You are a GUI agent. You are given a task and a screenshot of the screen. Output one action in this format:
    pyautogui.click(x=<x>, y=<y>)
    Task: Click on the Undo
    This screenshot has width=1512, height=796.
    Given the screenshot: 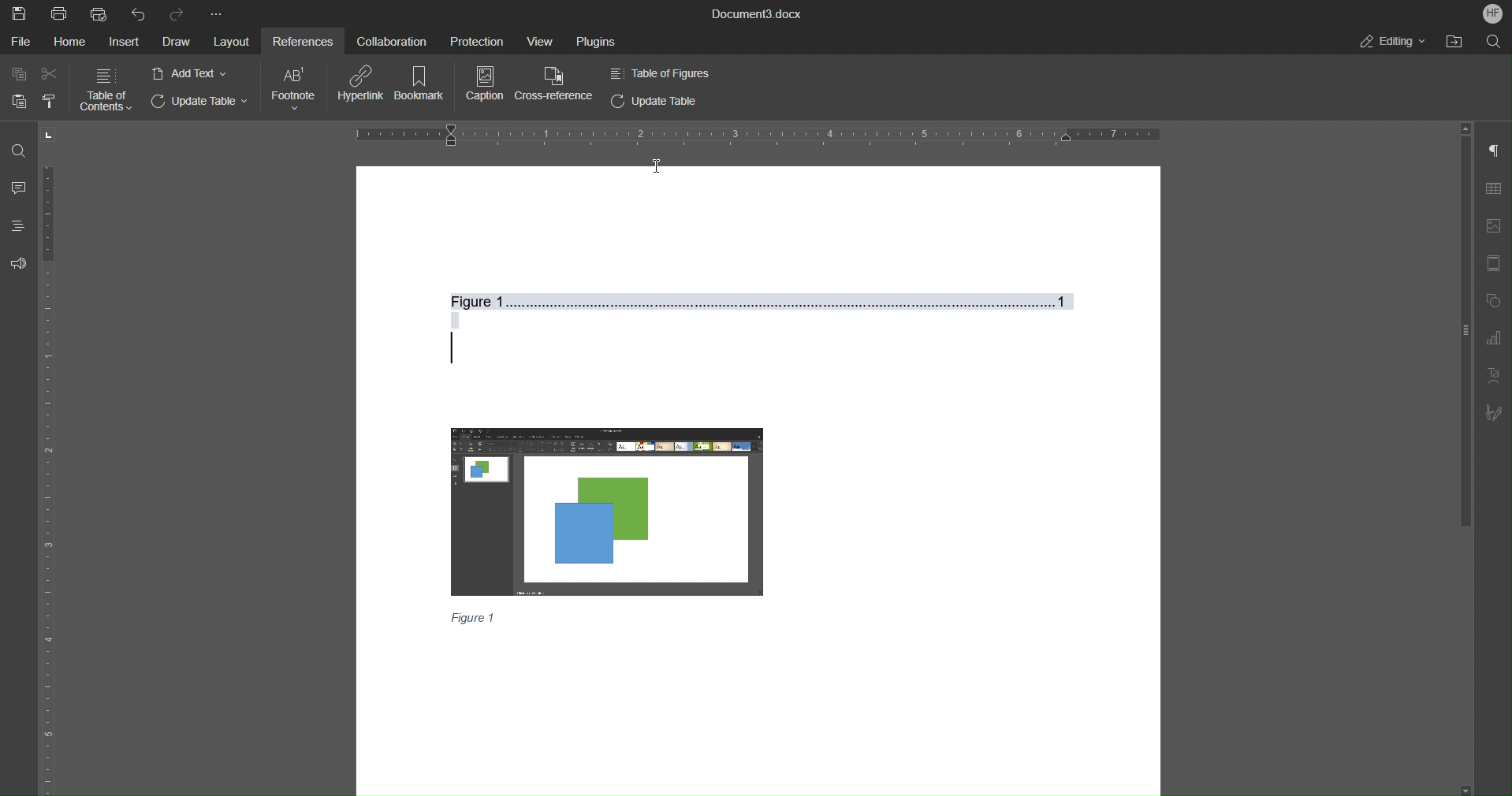 What is the action you would take?
    pyautogui.click(x=138, y=13)
    